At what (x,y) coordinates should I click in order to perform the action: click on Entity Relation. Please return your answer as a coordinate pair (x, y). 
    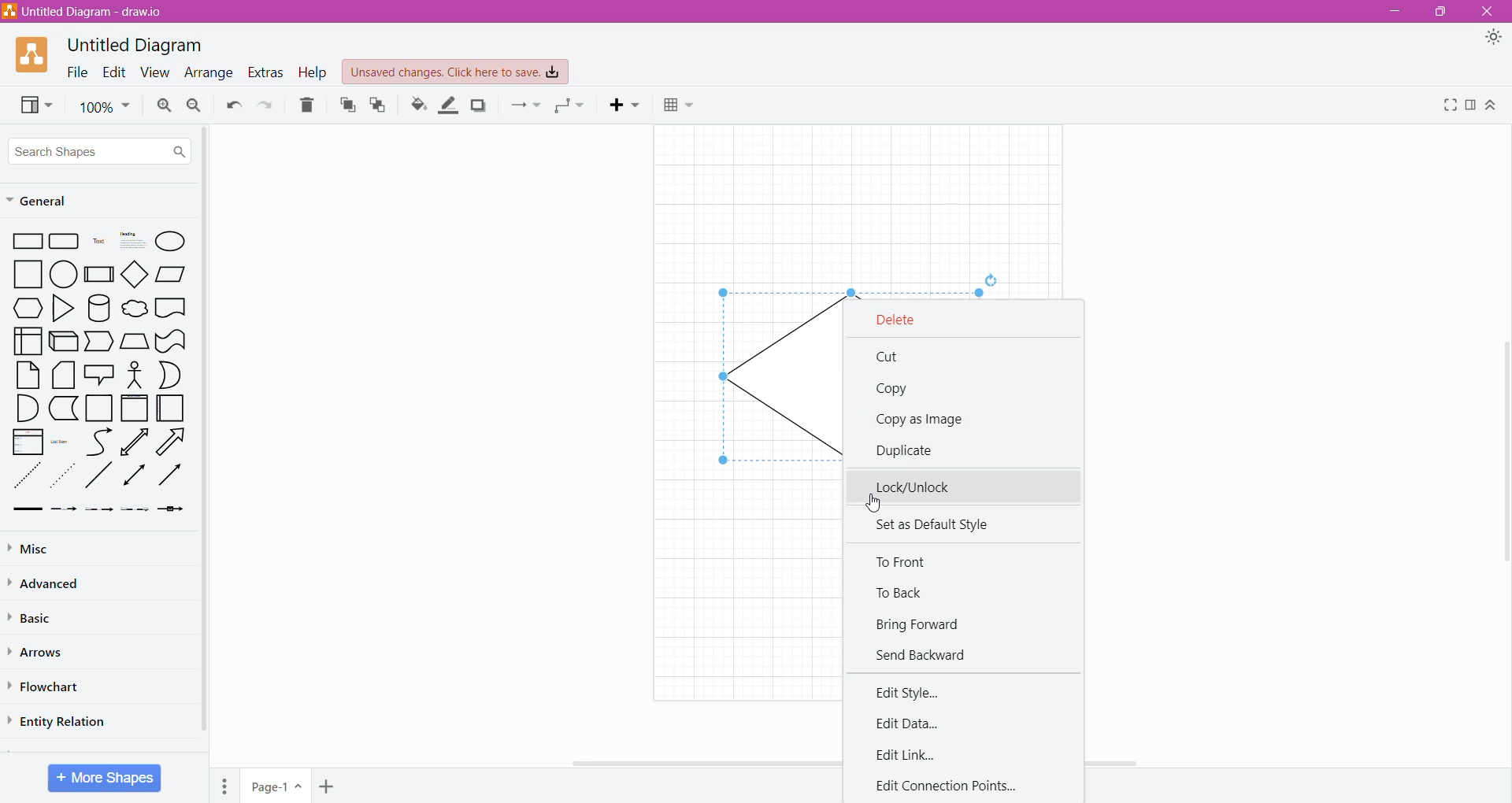
    Looking at the image, I should click on (58, 722).